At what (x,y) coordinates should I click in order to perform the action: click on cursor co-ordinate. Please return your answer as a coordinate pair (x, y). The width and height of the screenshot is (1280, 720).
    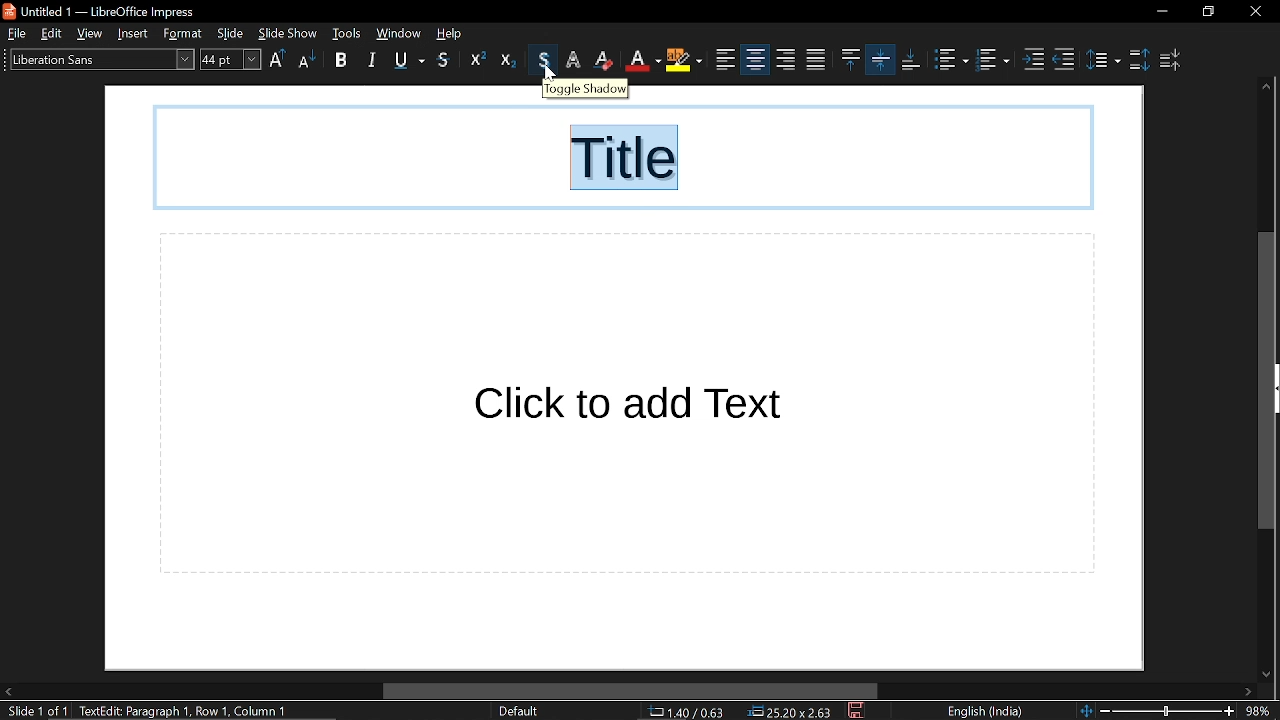
    Looking at the image, I should click on (693, 712).